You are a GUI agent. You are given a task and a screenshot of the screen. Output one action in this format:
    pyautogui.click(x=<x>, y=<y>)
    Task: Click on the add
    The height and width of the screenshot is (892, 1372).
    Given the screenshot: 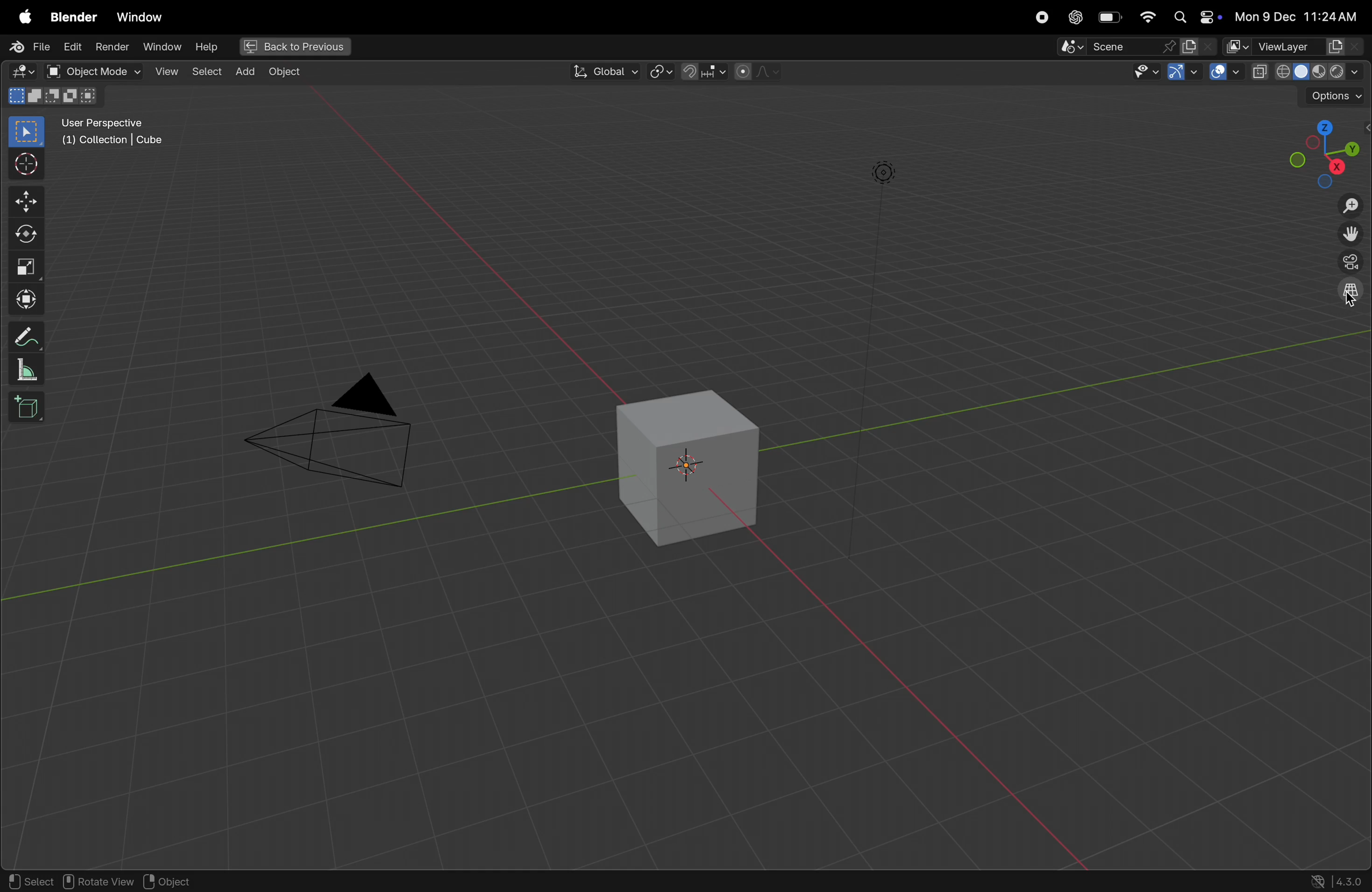 What is the action you would take?
    pyautogui.click(x=242, y=73)
    